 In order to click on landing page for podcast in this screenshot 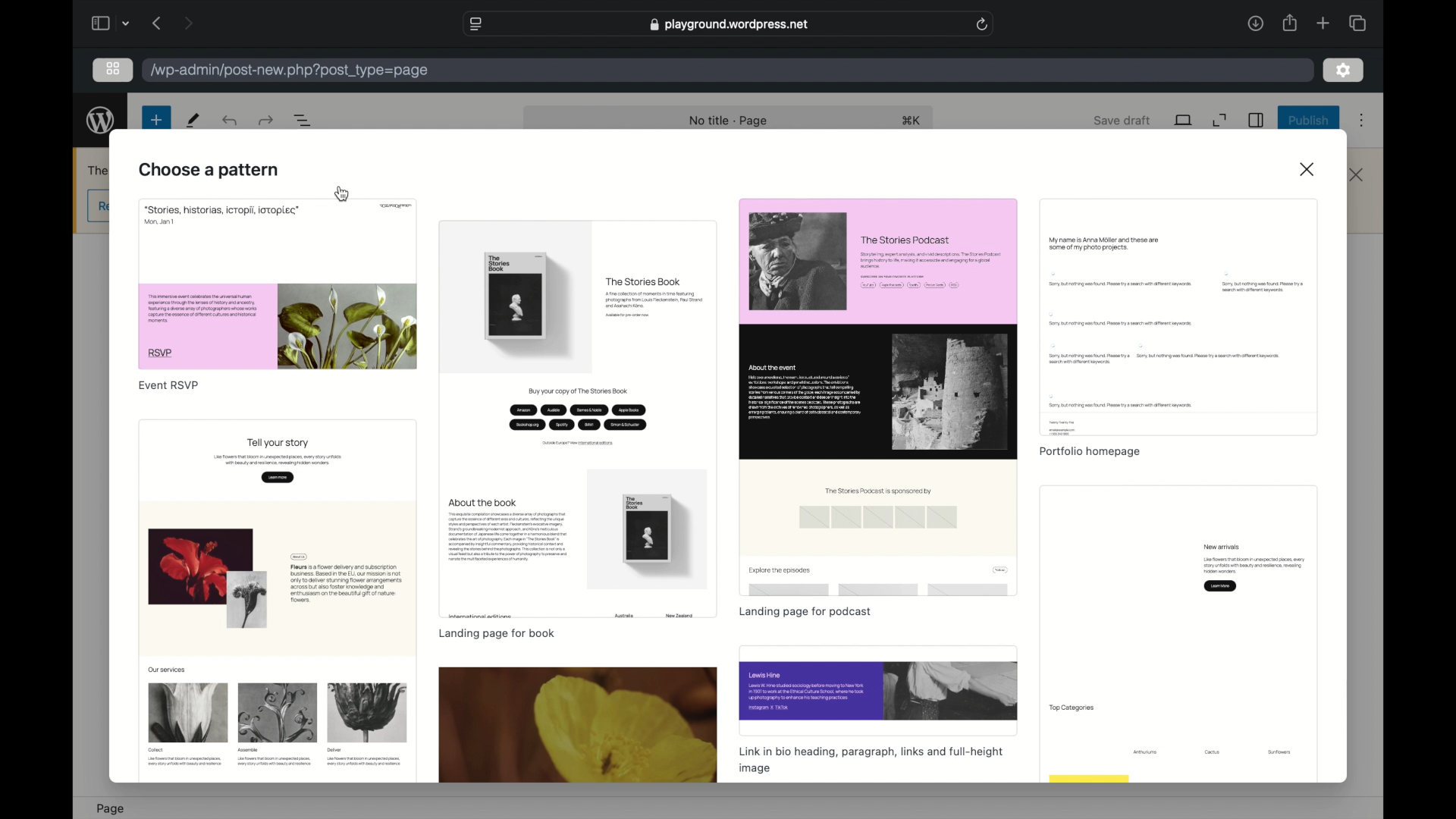, I will do `click(805, 611)`.